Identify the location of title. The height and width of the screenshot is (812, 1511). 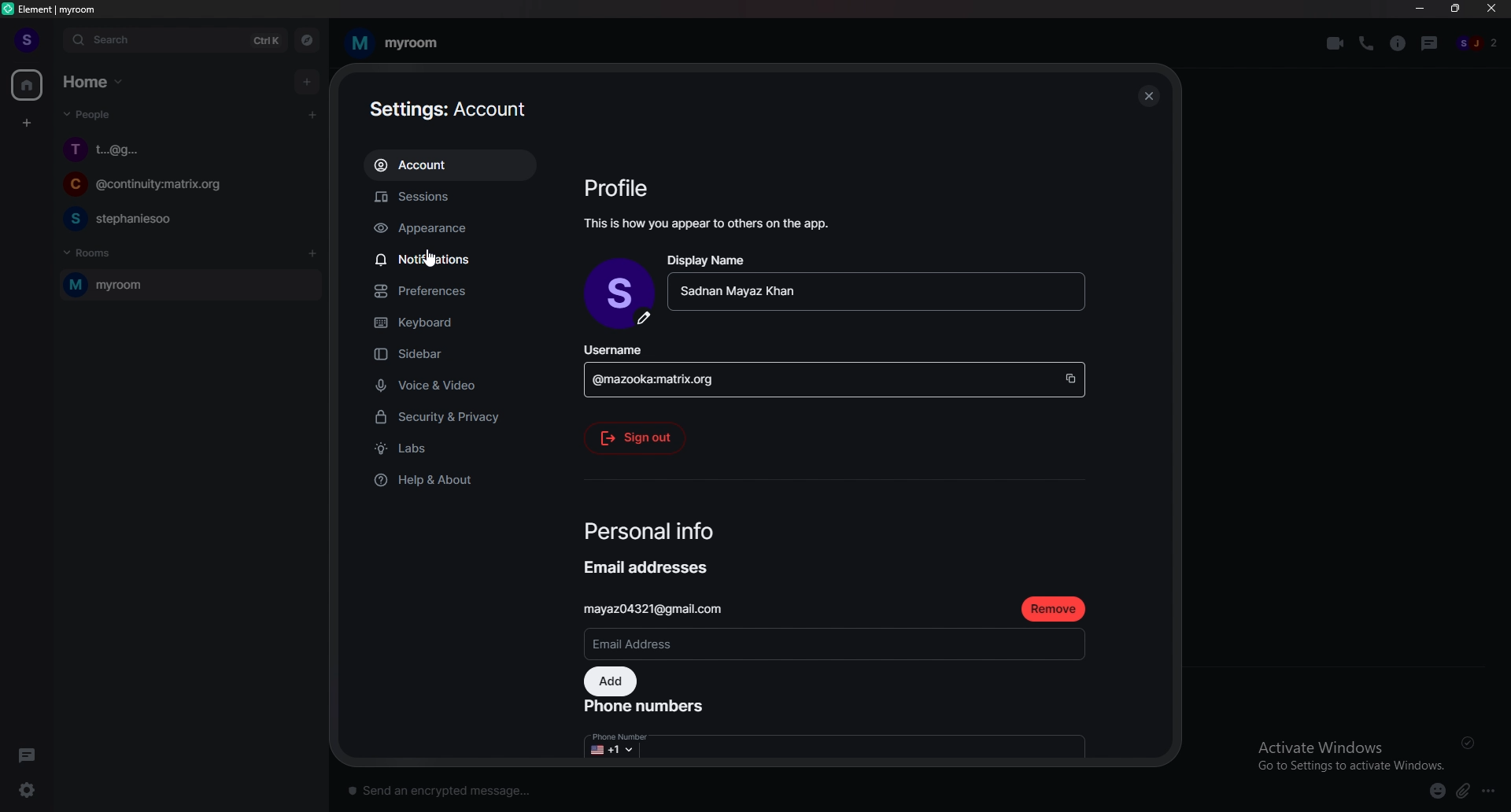
(58, 9).